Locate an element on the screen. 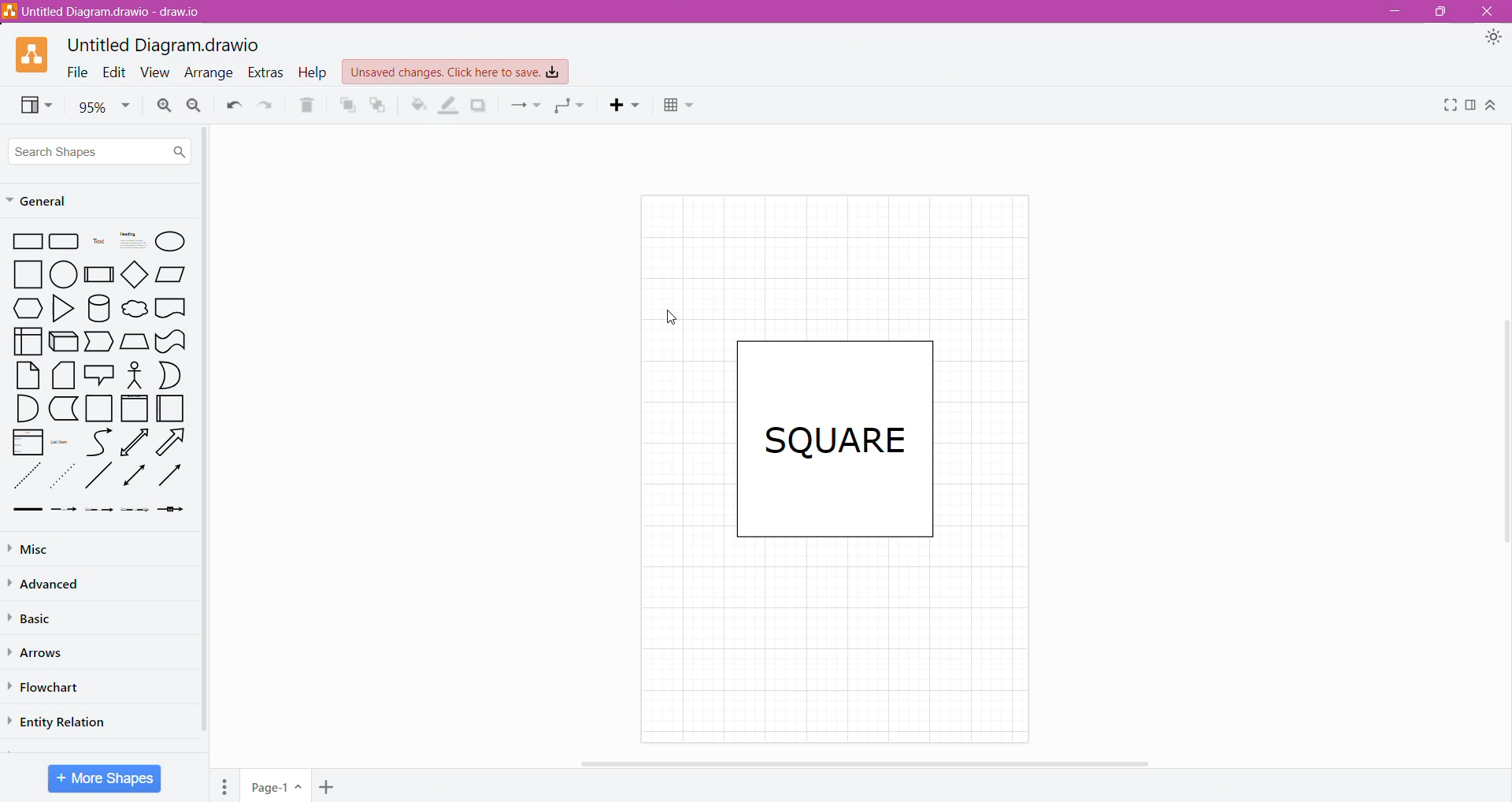  Dotted Arrow is located at coordinates (136, 513).